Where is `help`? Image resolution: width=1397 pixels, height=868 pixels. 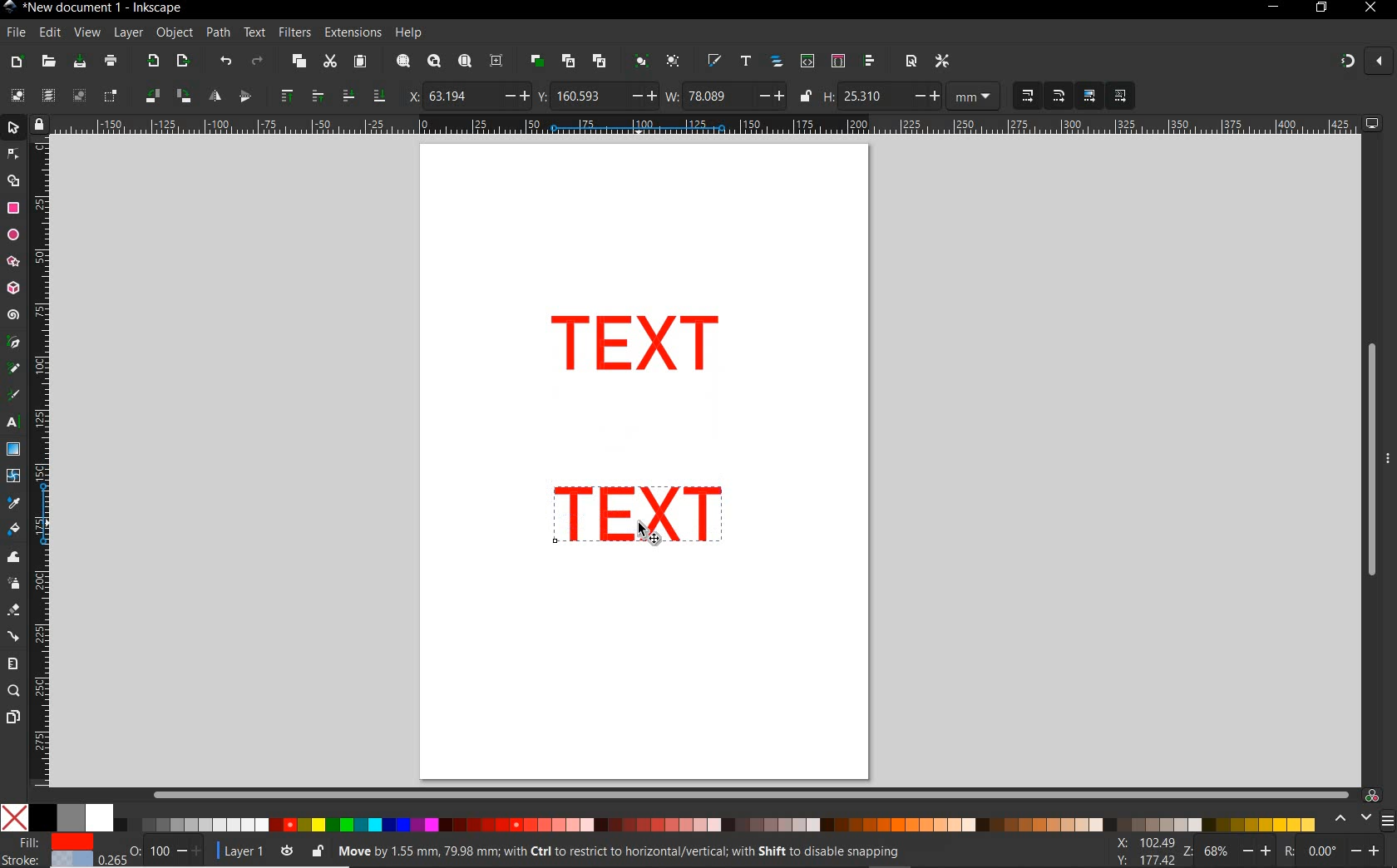
help is located at coordinates (409, 33).